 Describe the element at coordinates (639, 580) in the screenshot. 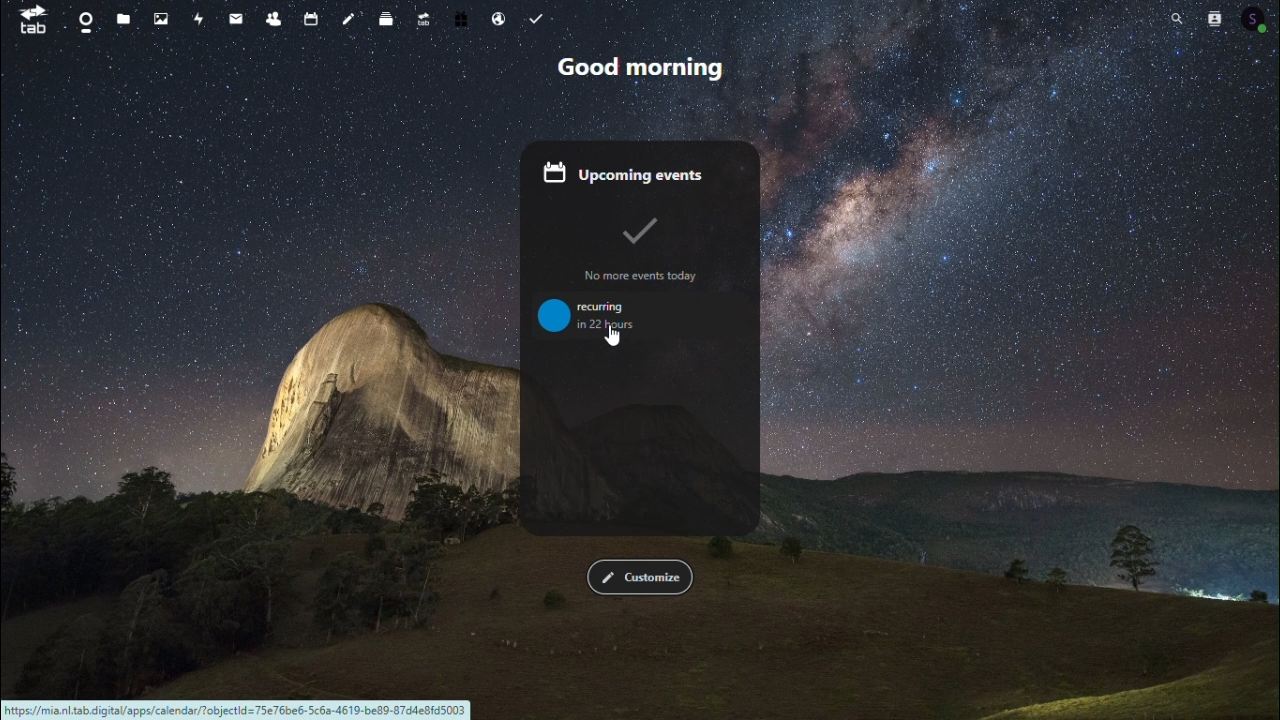

I see `FREE TRIAL EXPIREDcustomise` at that location.